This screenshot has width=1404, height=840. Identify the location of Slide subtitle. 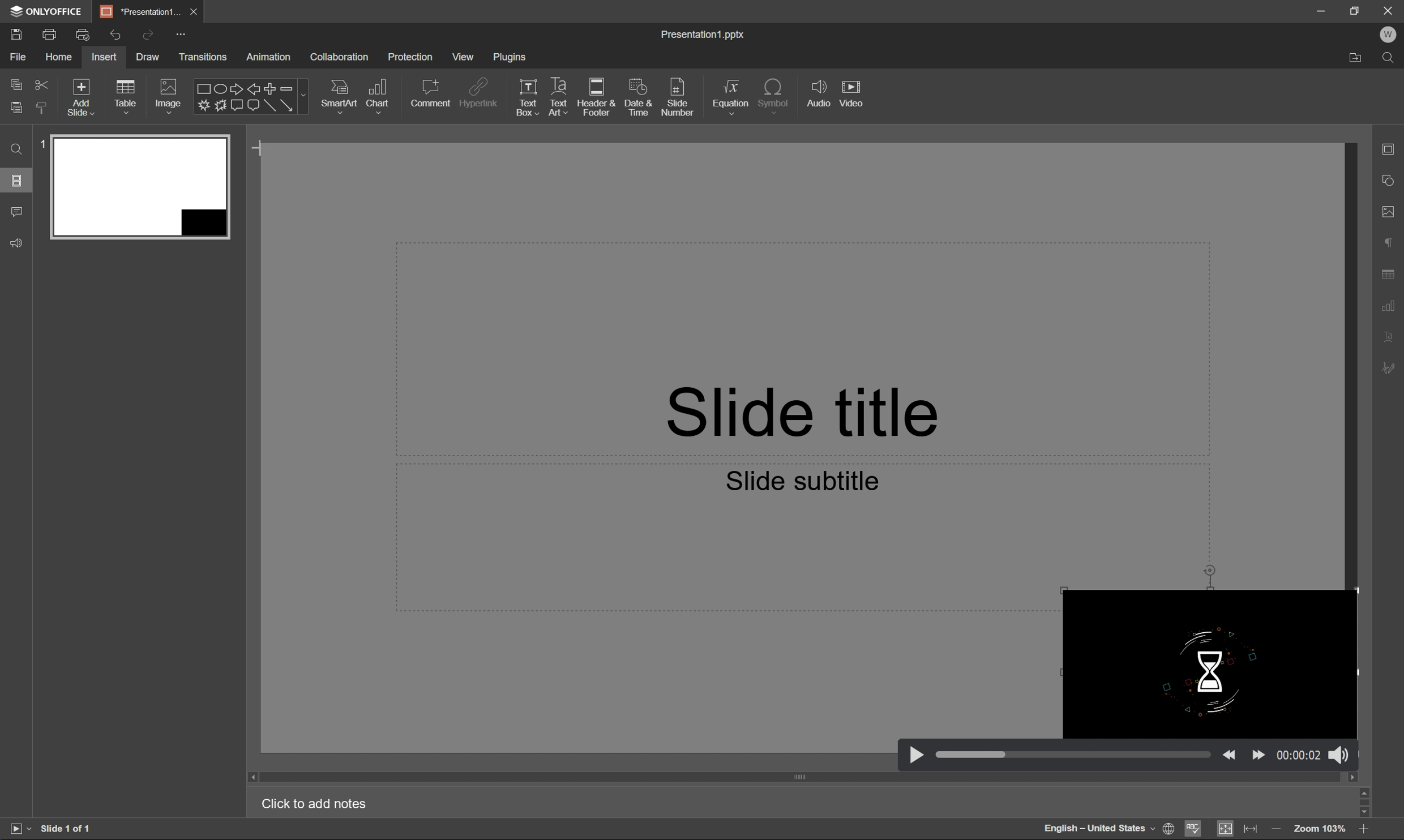
(803, 478).